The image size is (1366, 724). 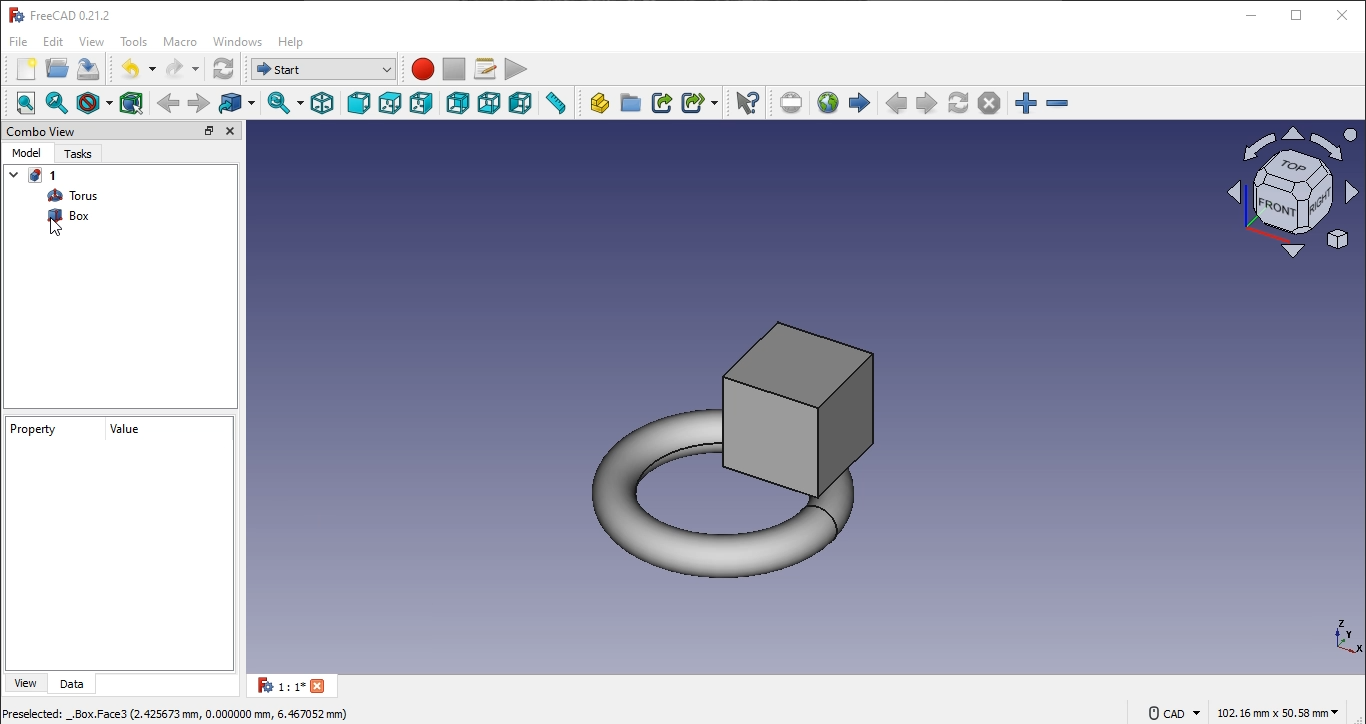 I want to click on tools, so click(x=133, y=40).